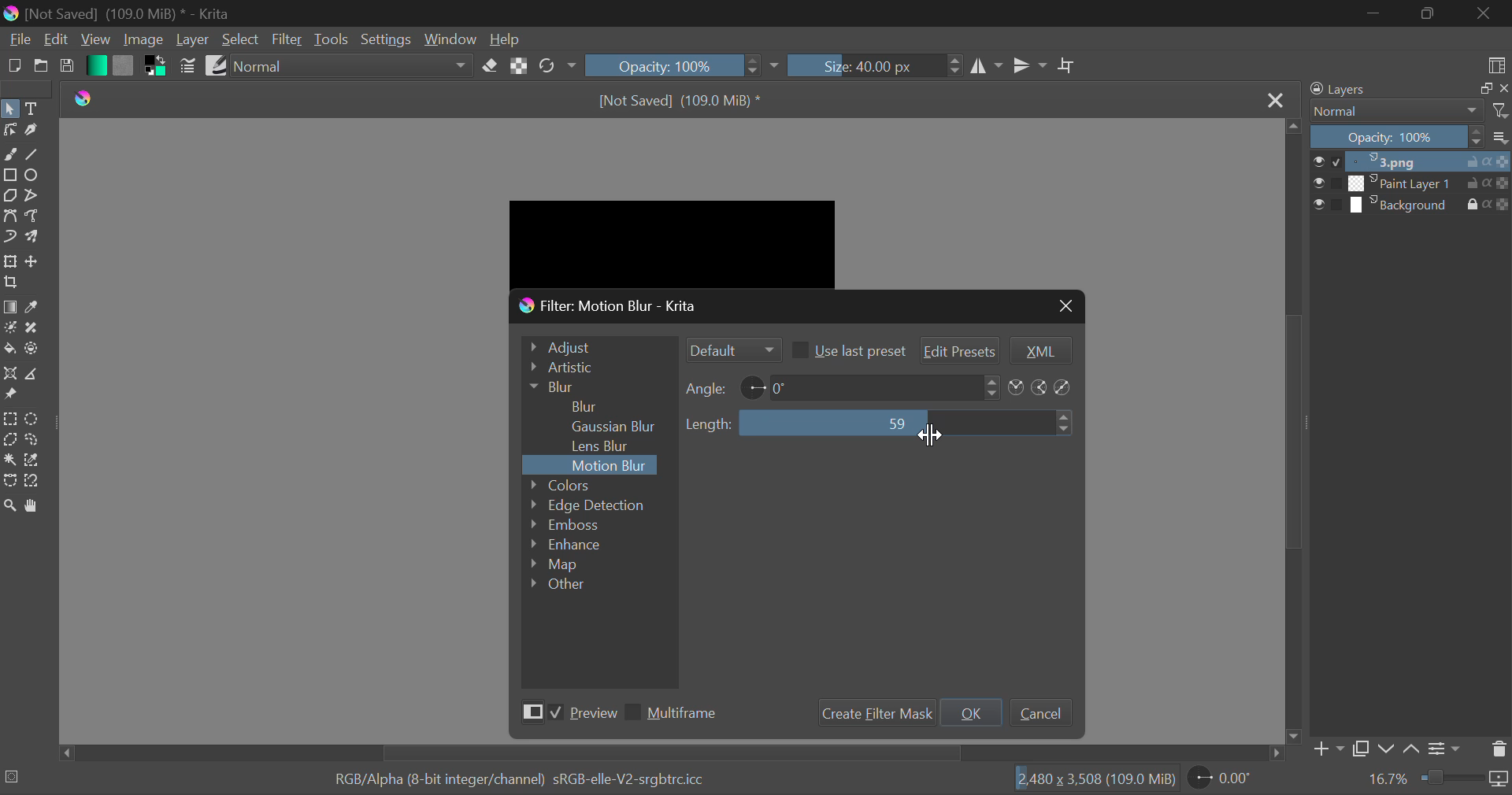 This screenshot has width=1512, height=795. I want to click on Preview, so click(565, 715).